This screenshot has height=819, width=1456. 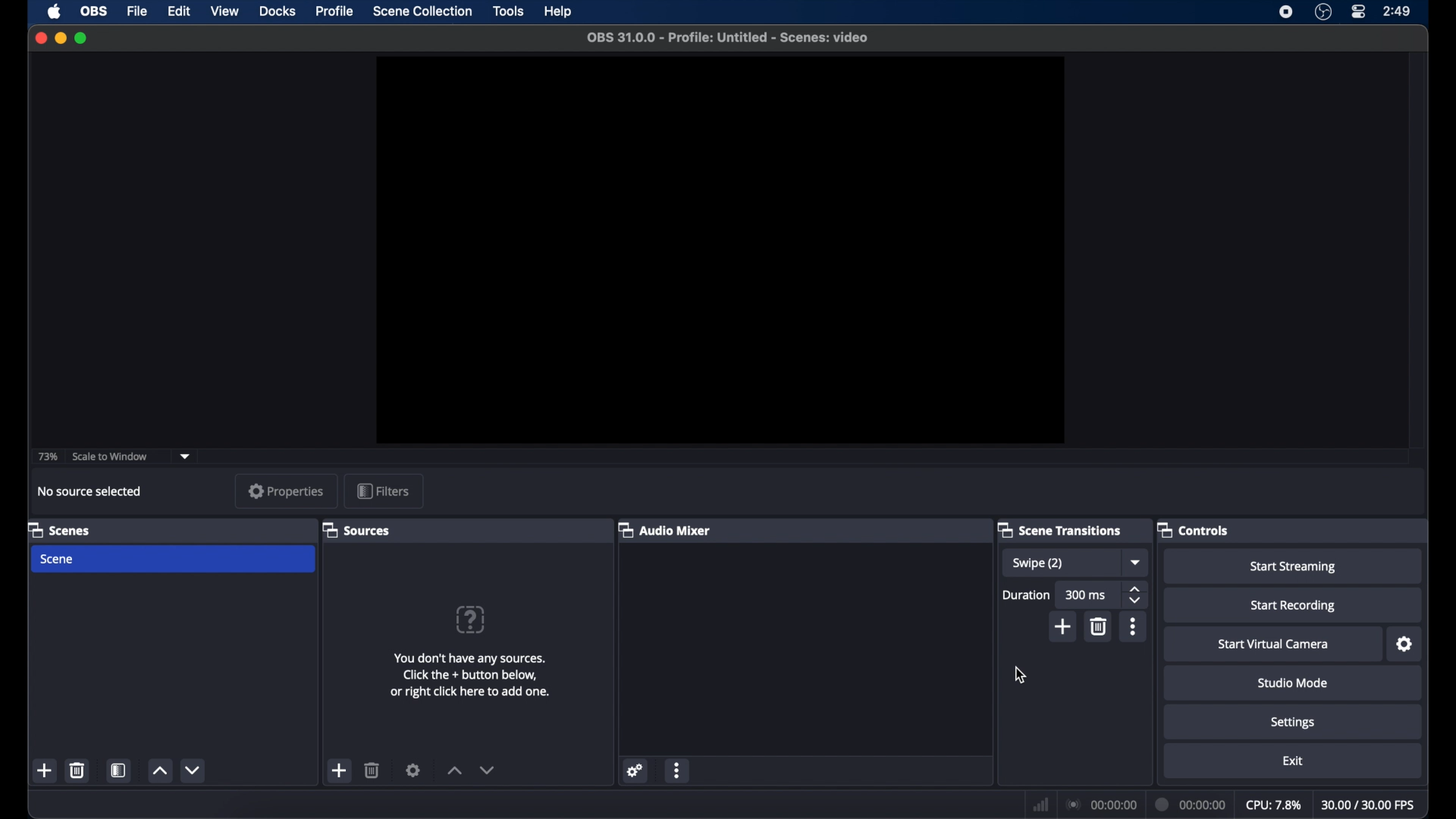 I want to click on file name, so click(x=727, y=37).